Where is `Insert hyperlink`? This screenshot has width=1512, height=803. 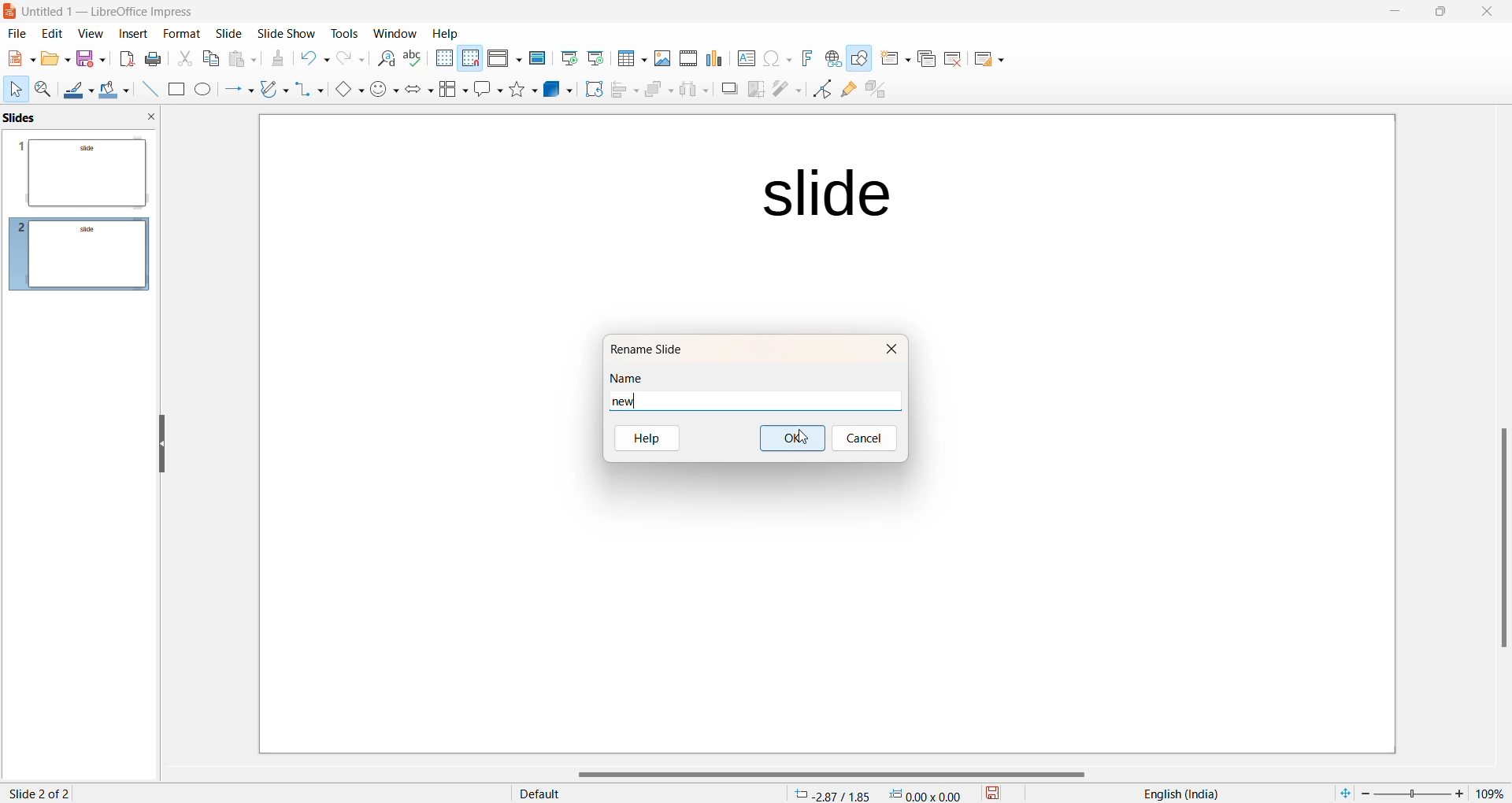
Insert hyperlink is located at coordinates (830, 59).